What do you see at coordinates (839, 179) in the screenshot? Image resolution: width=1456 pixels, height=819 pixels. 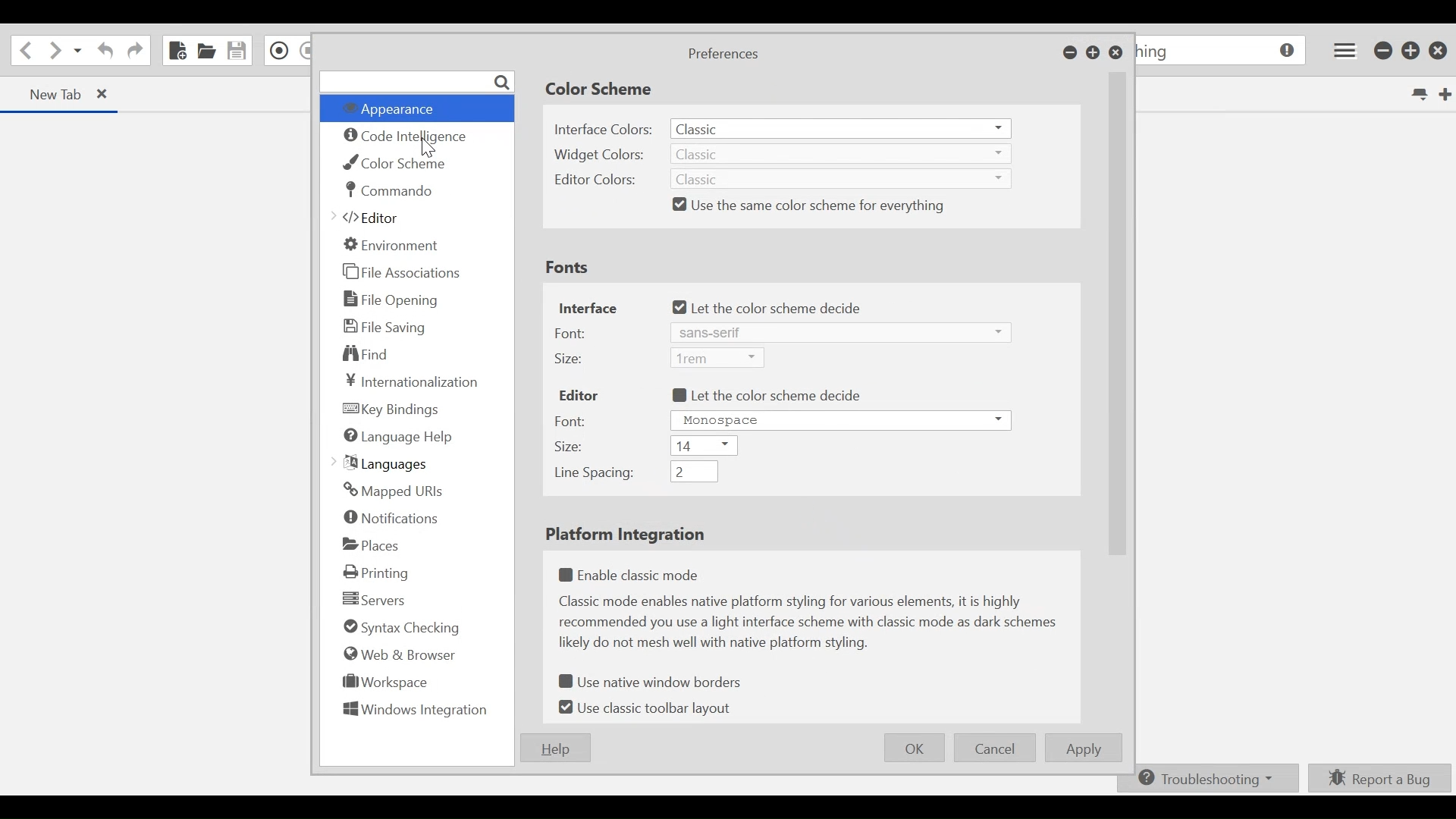 I see `classic` at bounding box center [839, 179].